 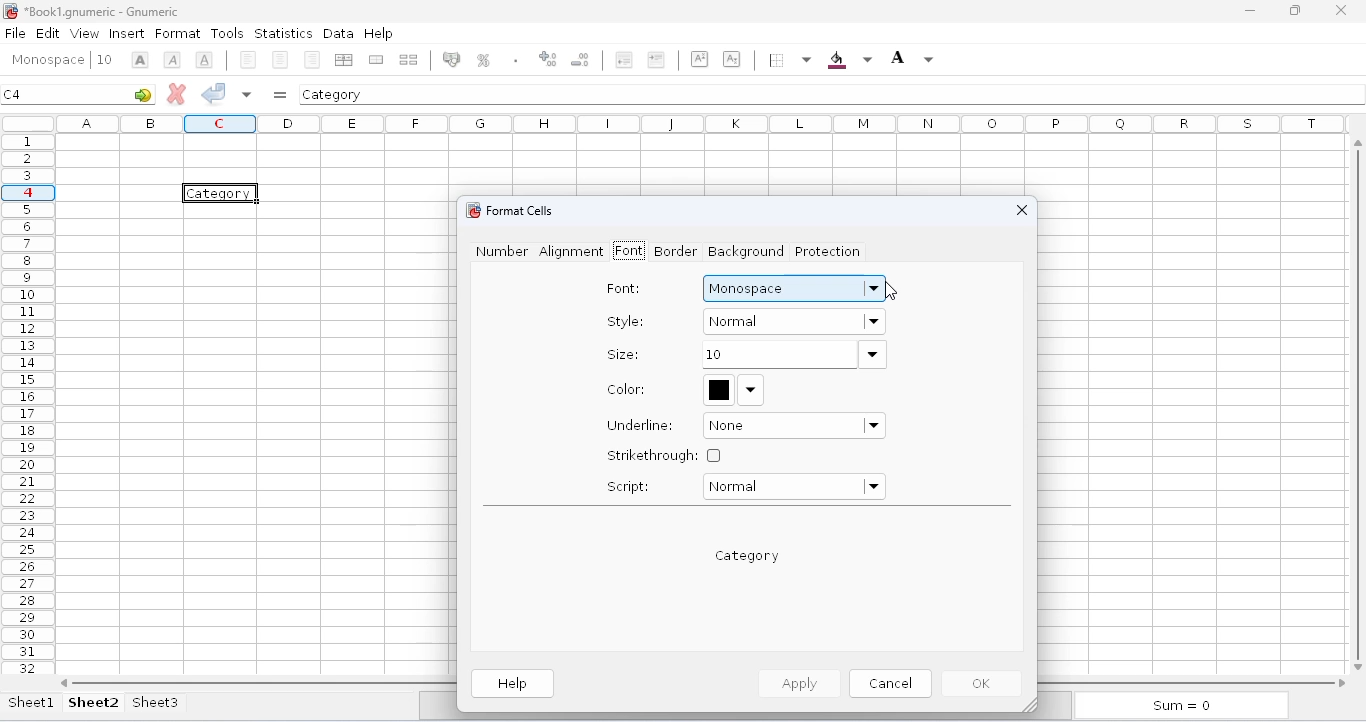 What do you see at coordinates (104, 59) in the screenshot?
I see `font size` at bounding box center [104, 59].